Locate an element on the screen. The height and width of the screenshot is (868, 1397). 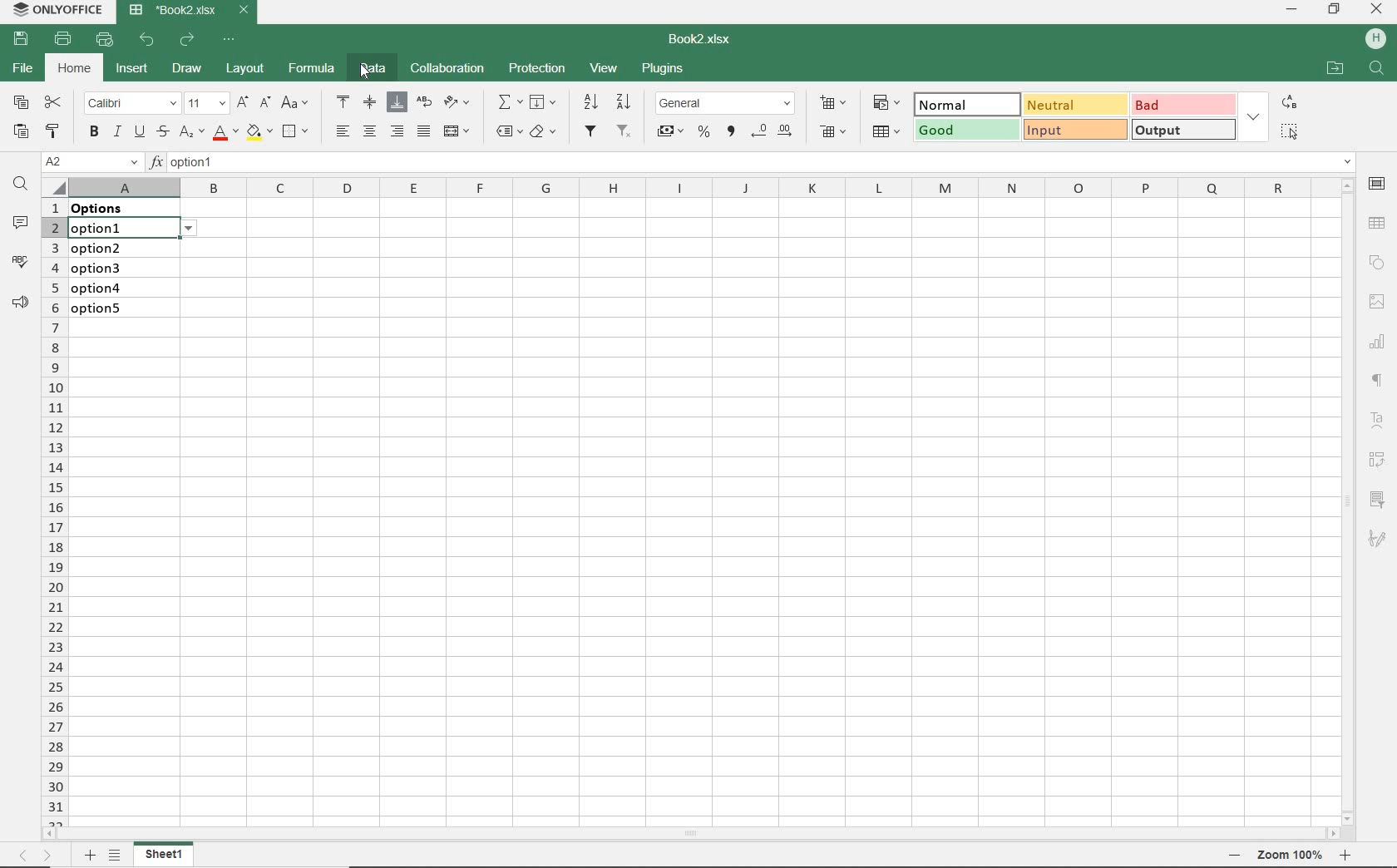
FILTER is located at coordinates (592, 131).